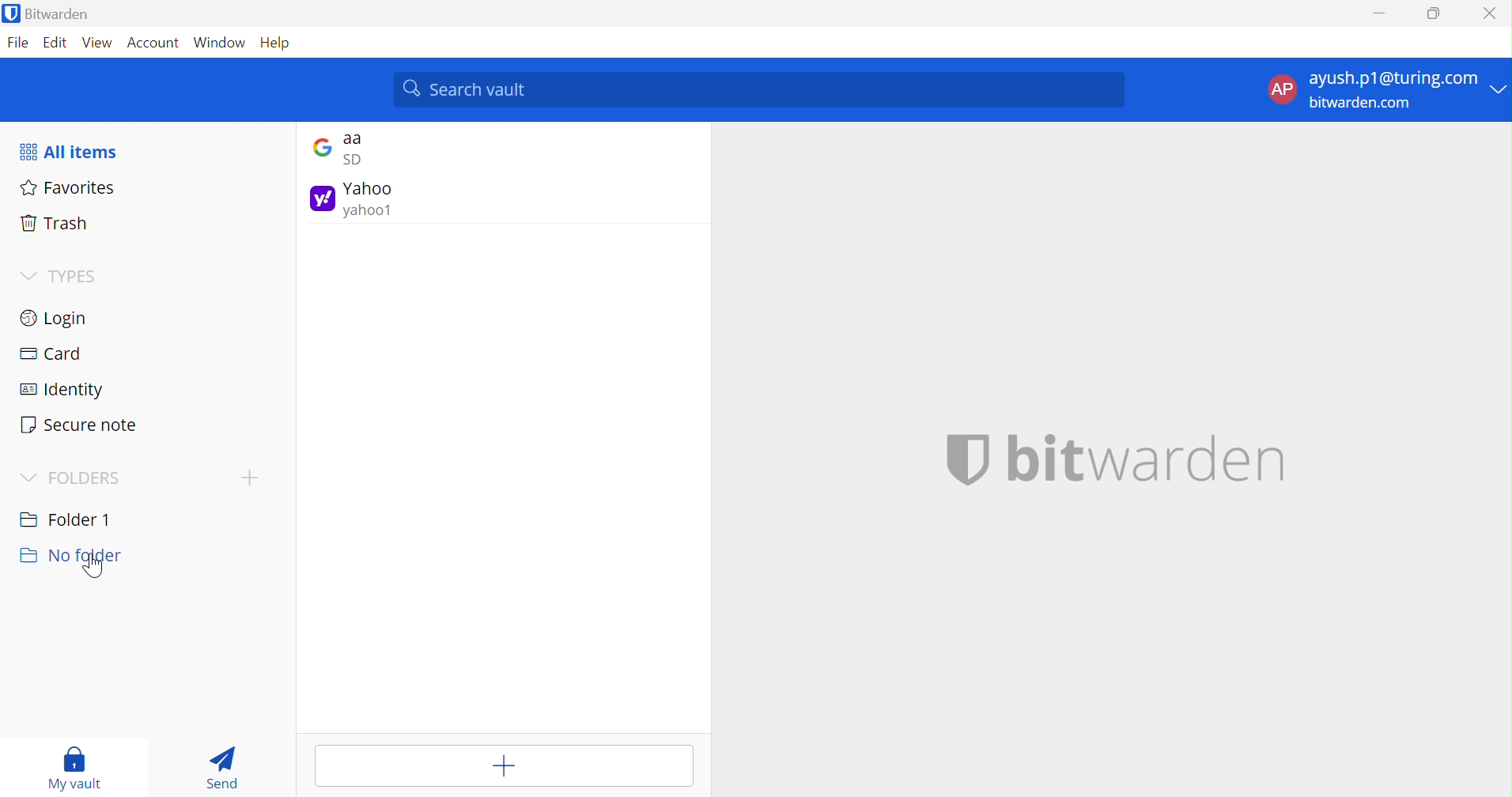 This screenshot has height=797, width=1512. Describe the element at coordinates (478, 202) in the screenshot. I see `yahoo login entry` at that location.